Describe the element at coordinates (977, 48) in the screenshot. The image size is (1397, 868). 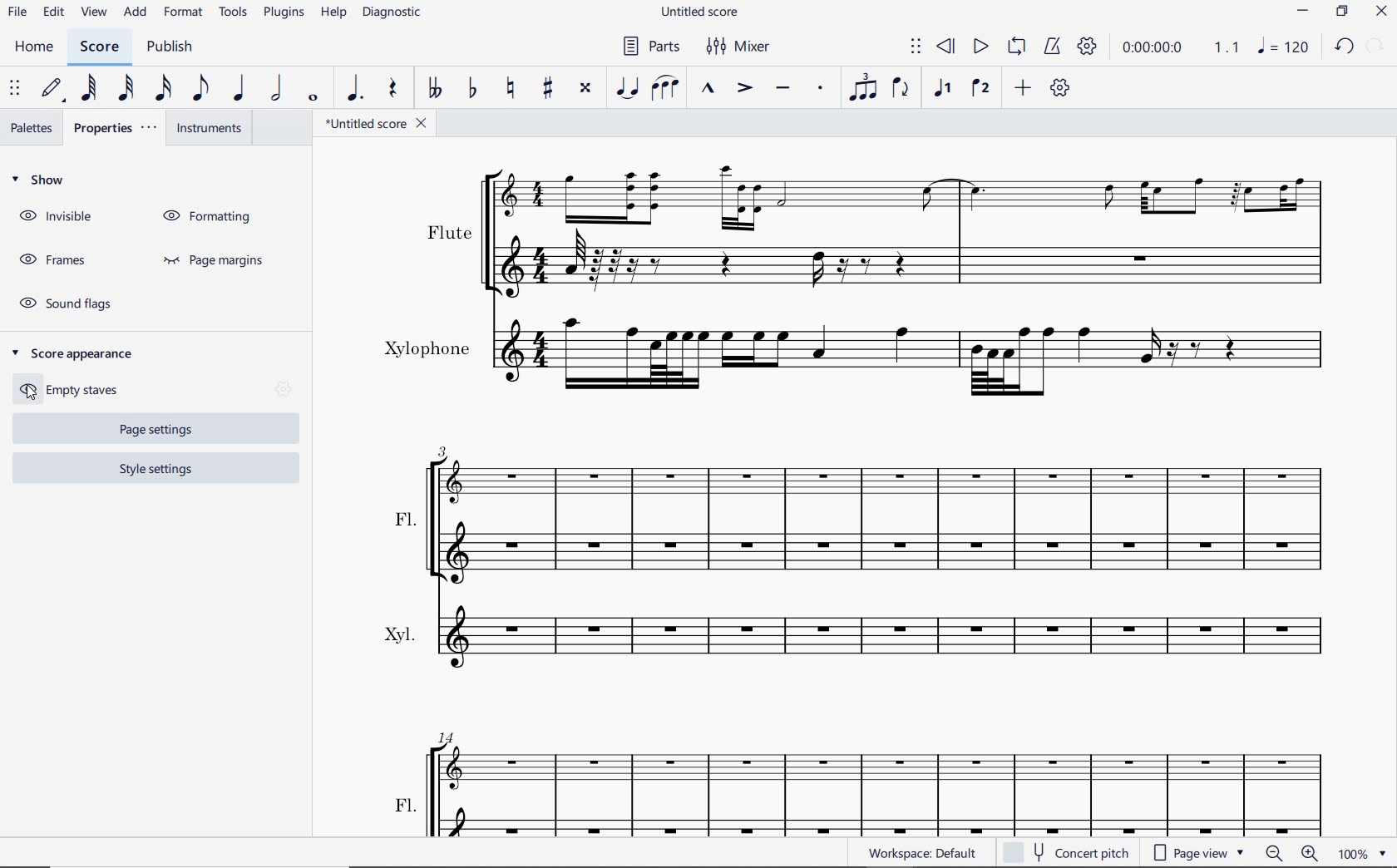
I see `PLAY` at that location.